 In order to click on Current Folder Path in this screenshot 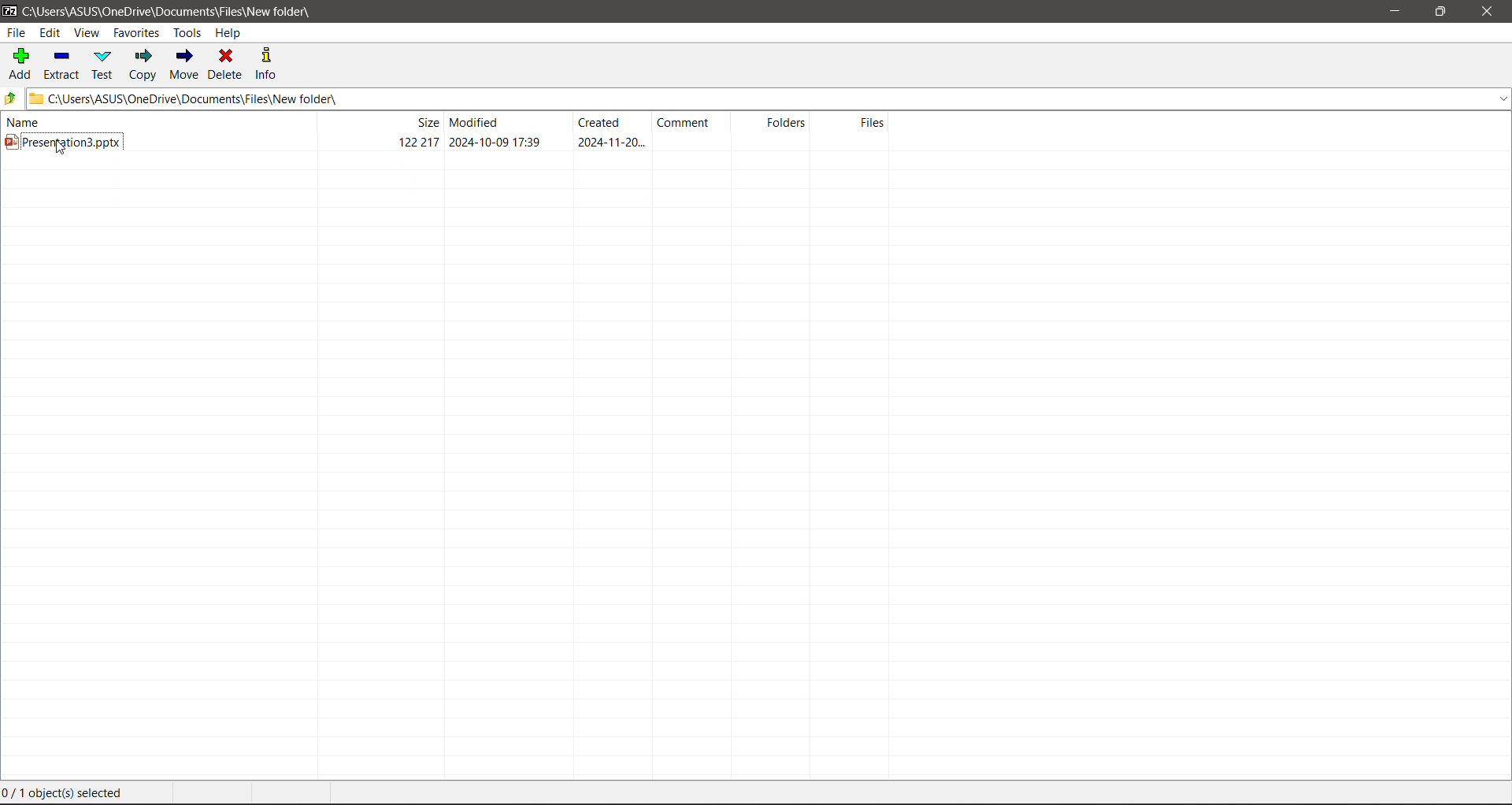, I will do `click(167, 9)`.